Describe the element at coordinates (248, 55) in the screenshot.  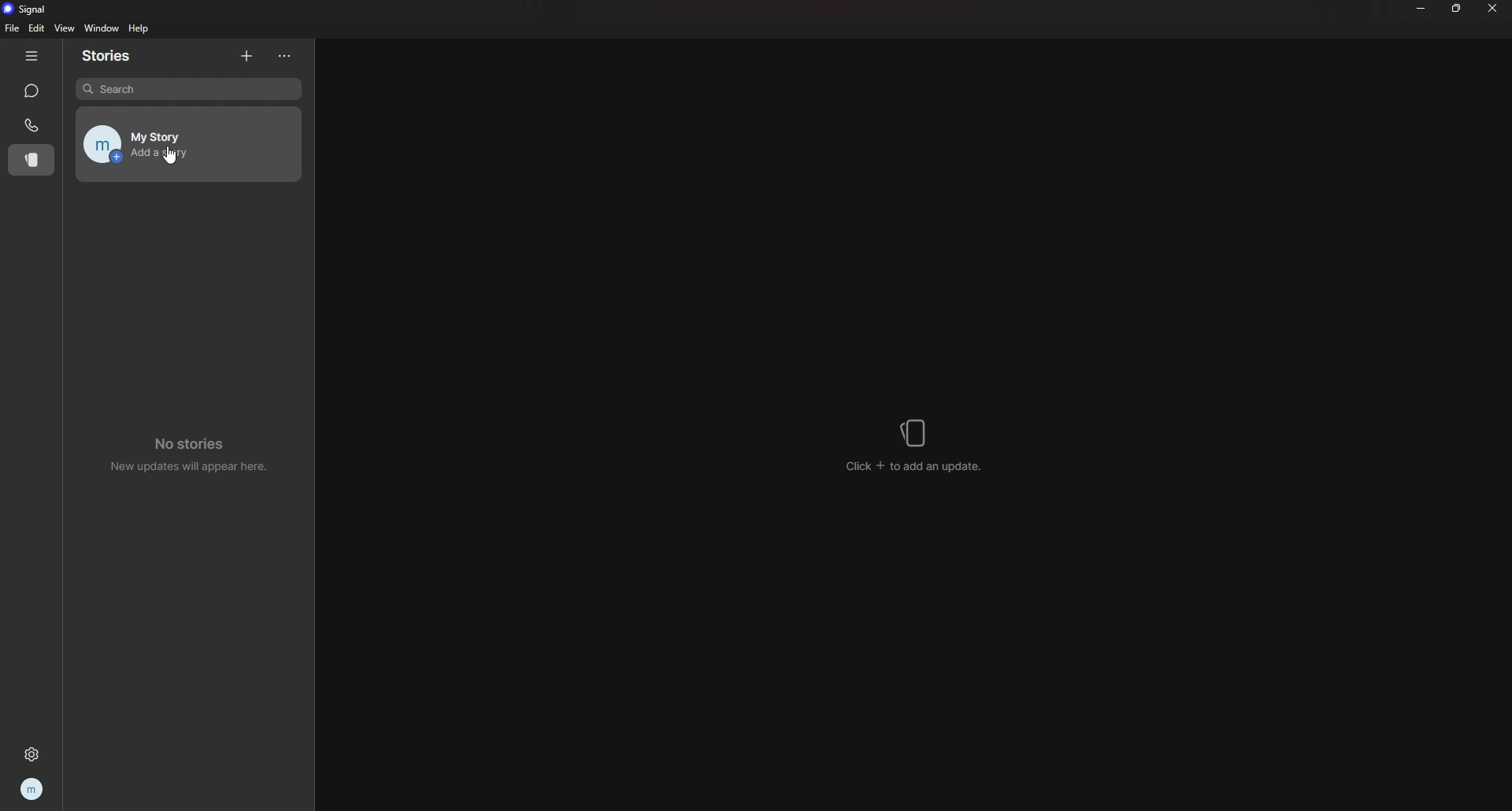
I see `add story` at that location.